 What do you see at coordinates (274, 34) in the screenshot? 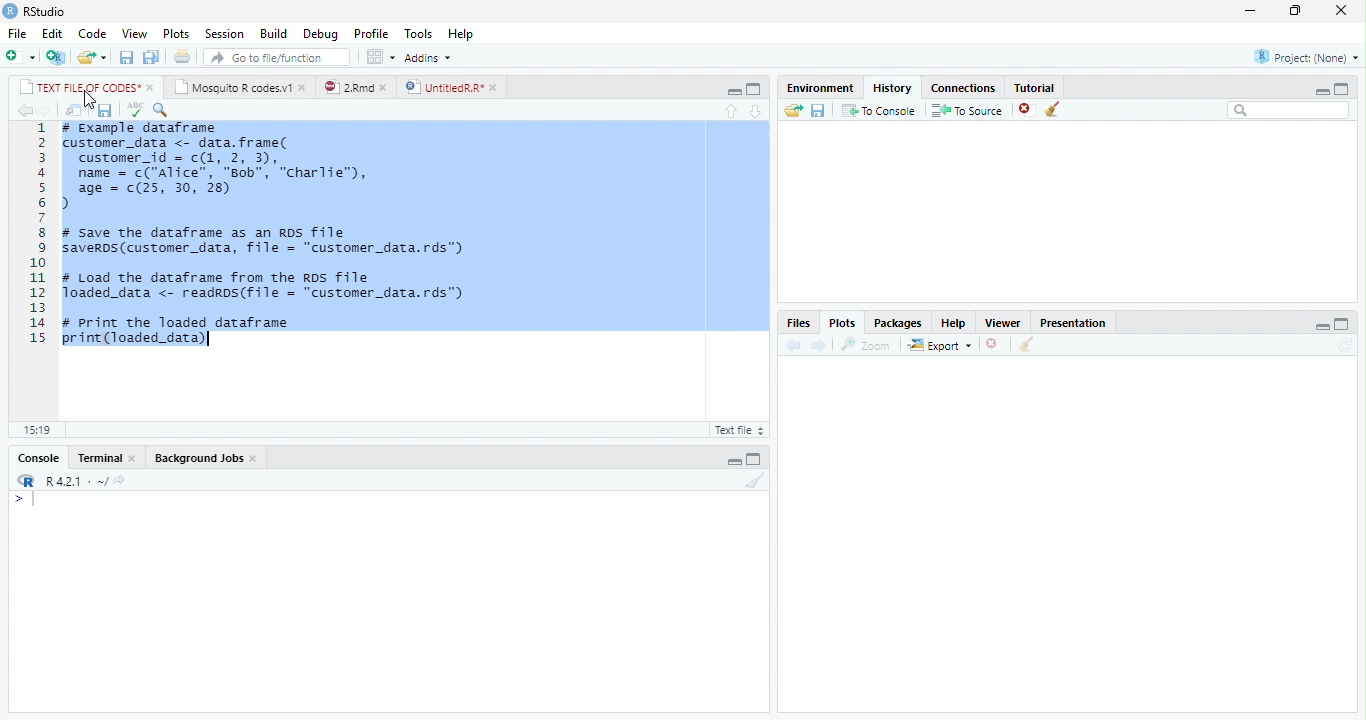
I see `Build` at bounding box center [274, 34].